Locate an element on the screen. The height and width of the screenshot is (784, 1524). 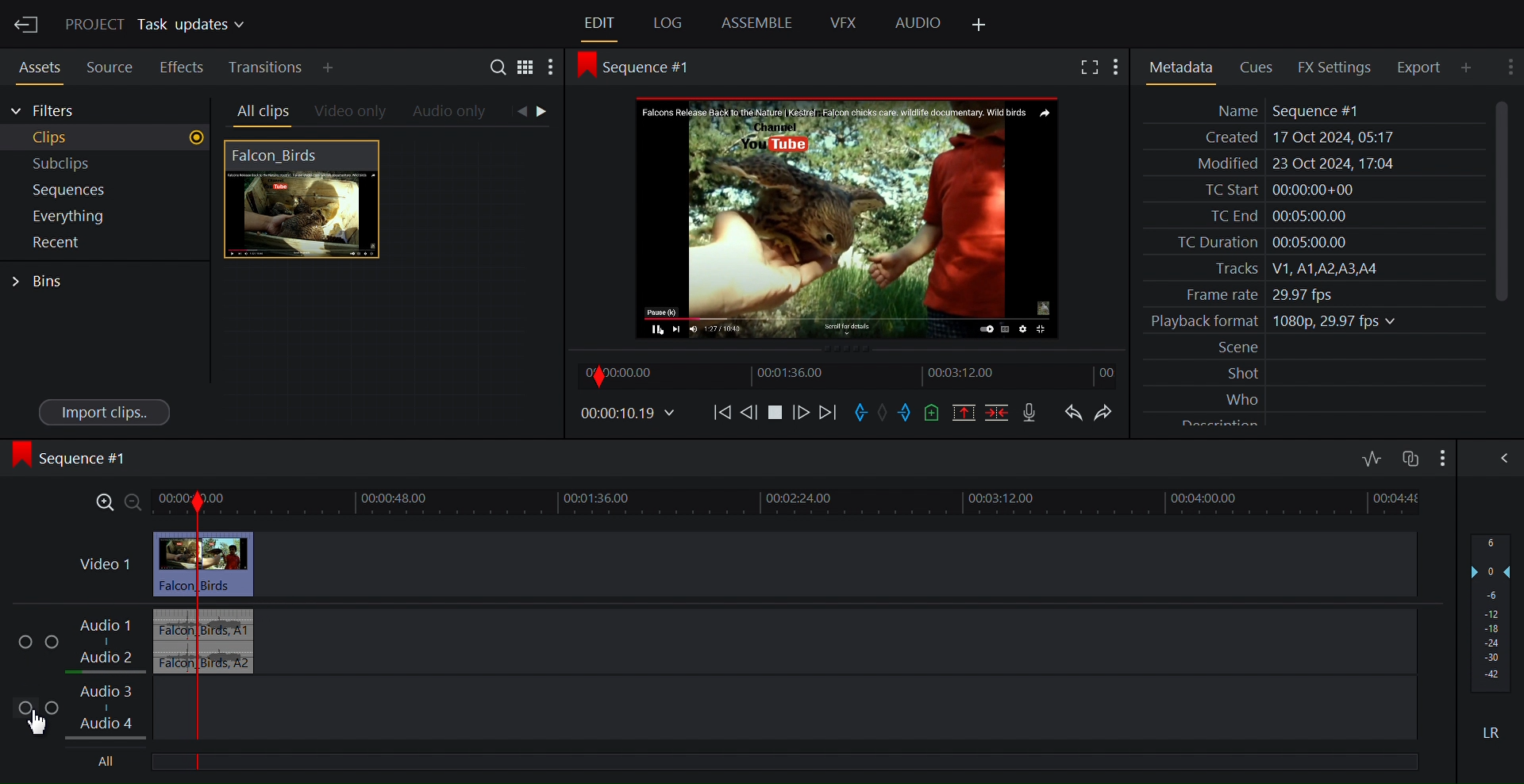
Cues is located at coordinates (1261, 66).